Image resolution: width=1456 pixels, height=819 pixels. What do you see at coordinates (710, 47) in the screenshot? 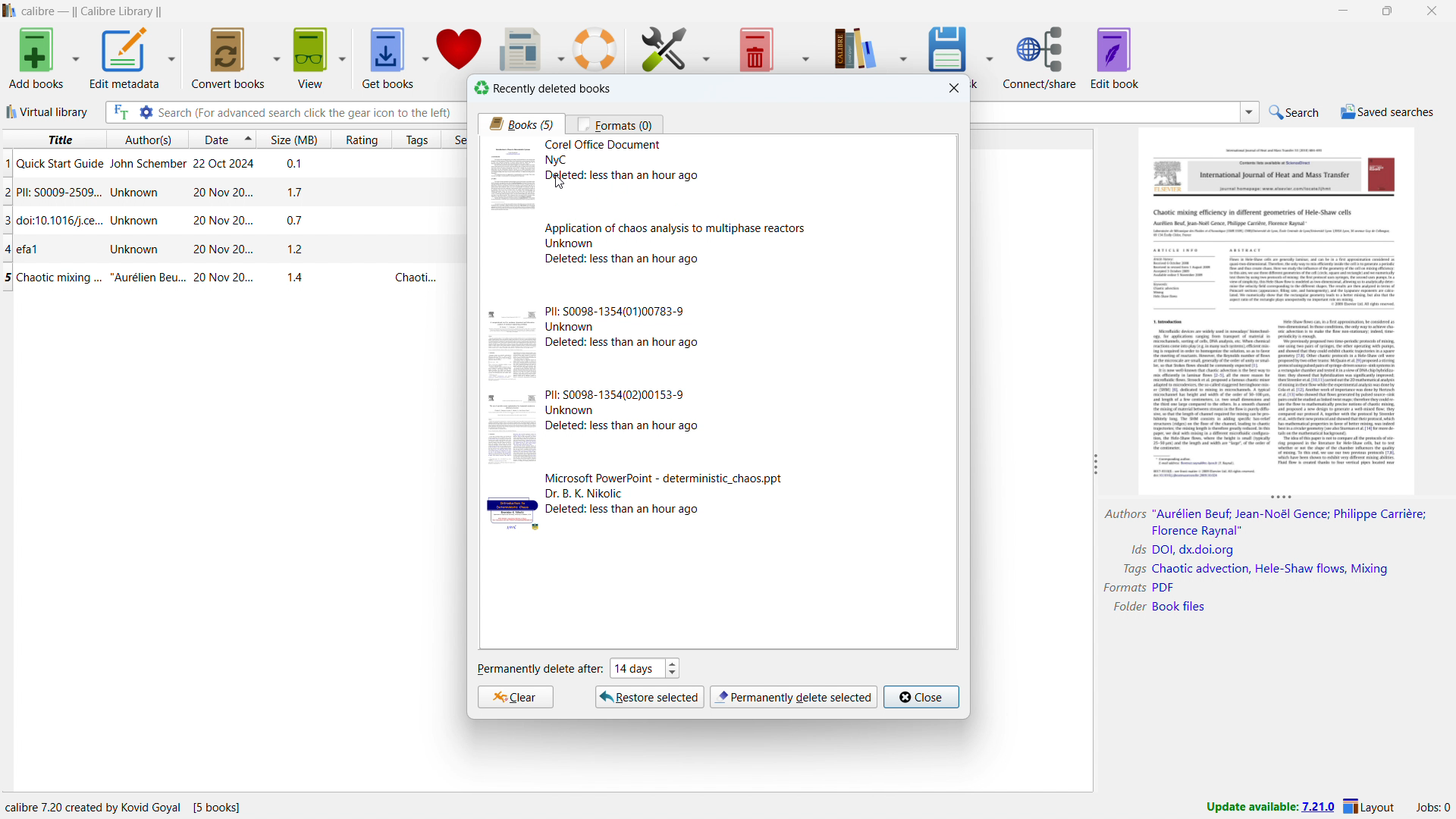
I see `preferences options` at bounding box center [710, 47].